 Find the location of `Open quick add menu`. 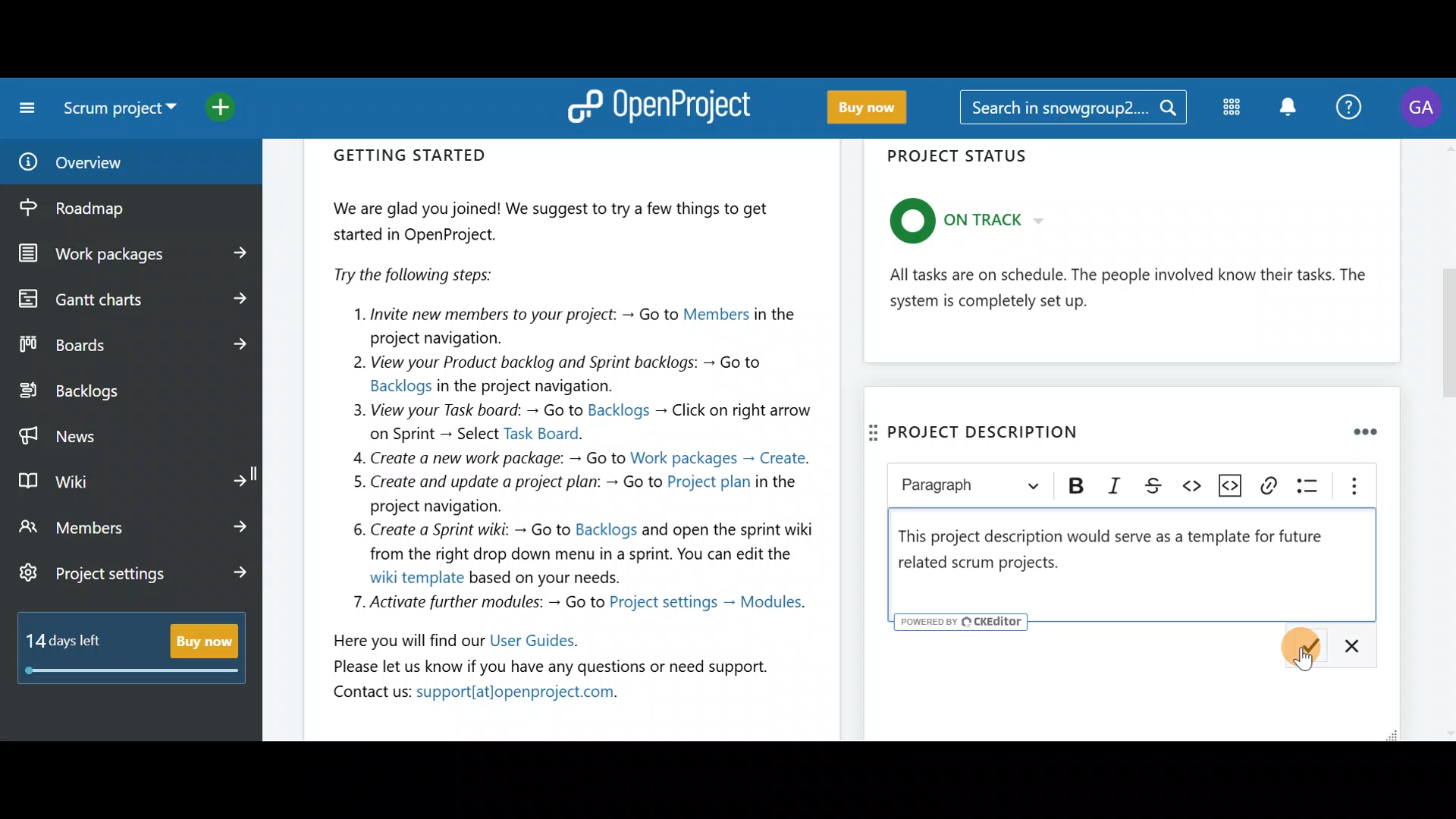

Open quick add menu is located at coordinates (235, 108).